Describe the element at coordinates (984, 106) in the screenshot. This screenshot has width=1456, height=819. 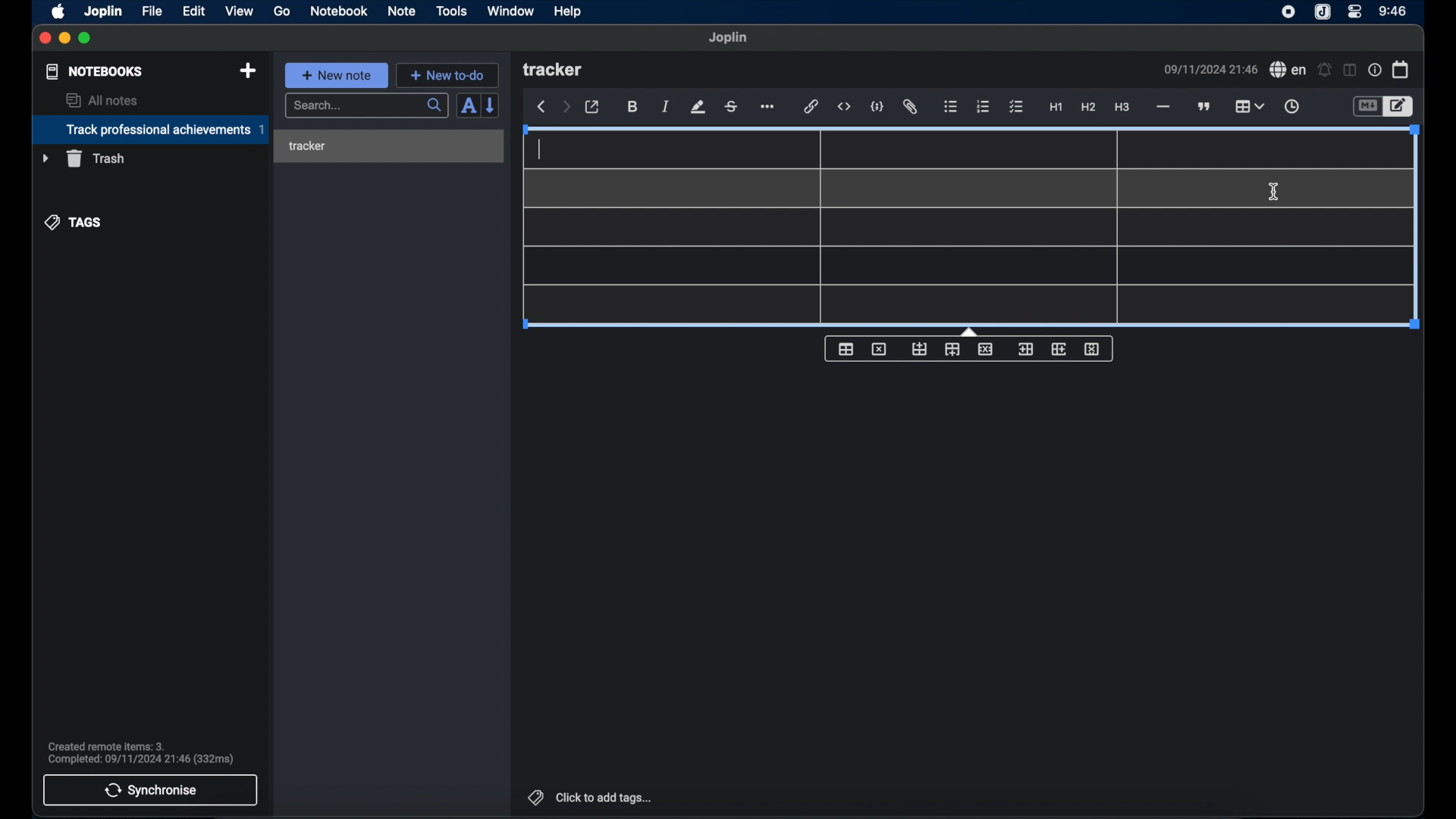
I see `numbered list` at that location.